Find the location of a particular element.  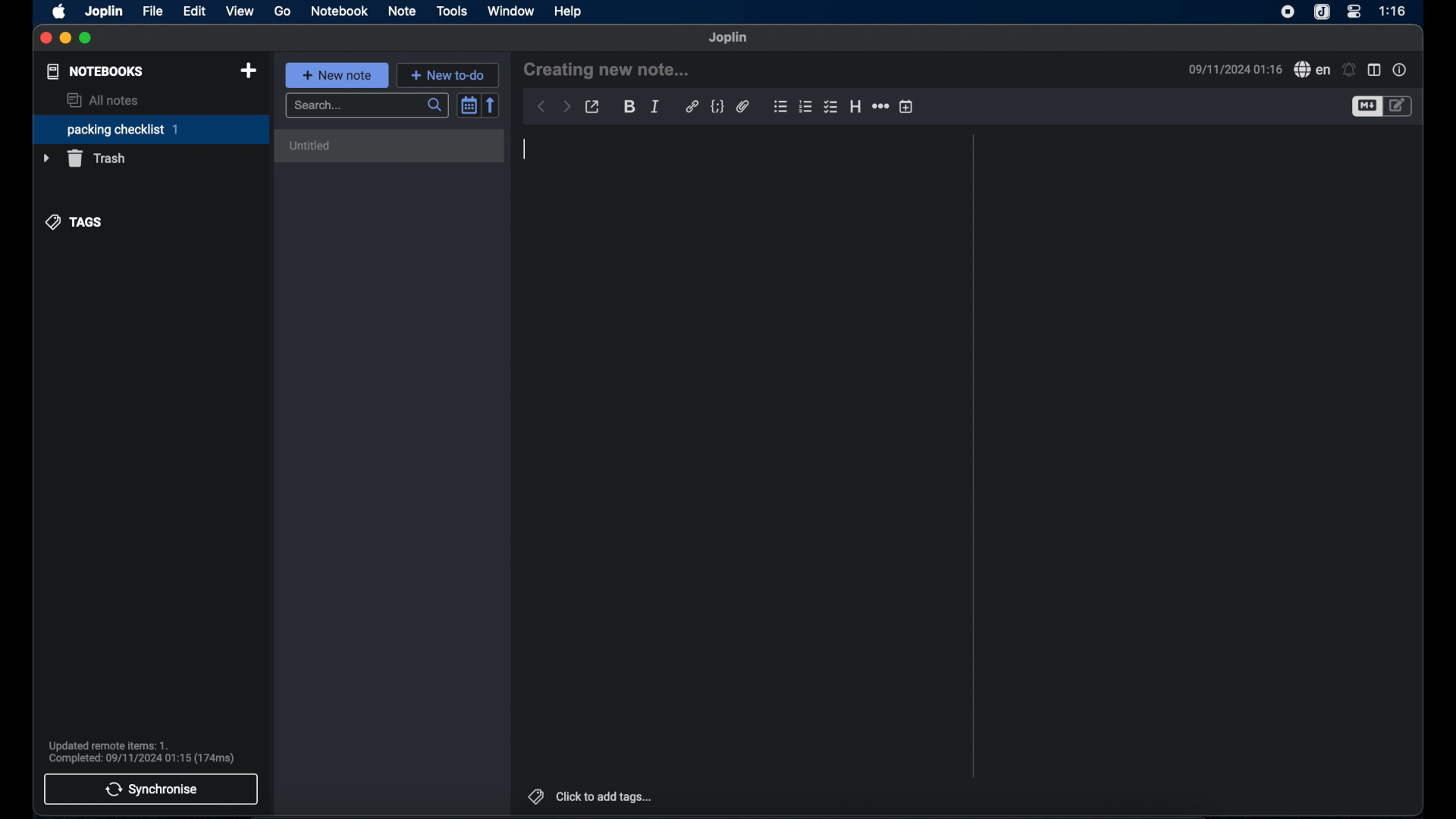

1:16 is located at coordinates (1394, 11).